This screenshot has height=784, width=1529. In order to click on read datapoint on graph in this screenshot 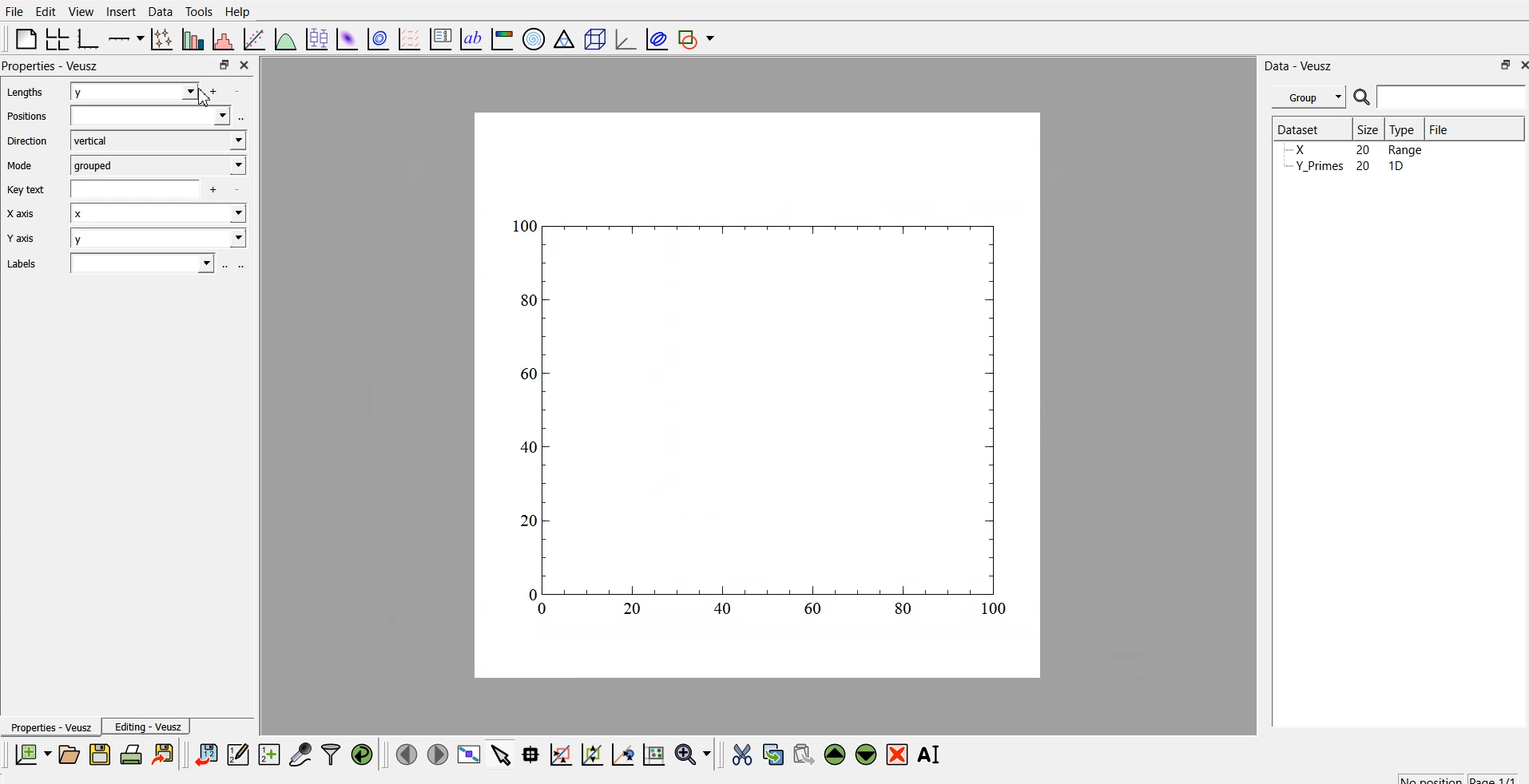, I will do `click(529, 754)`.